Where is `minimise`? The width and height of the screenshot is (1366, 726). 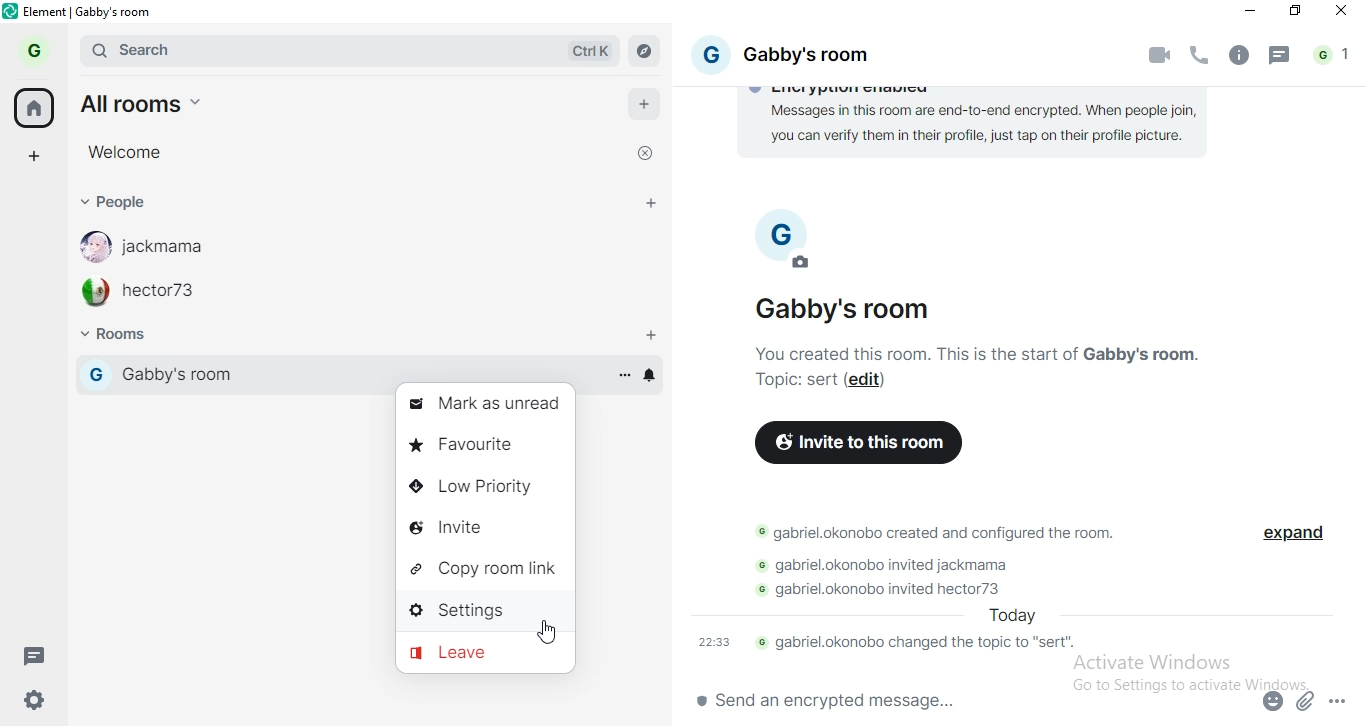 minimise is located at coordinates (1247, 13).